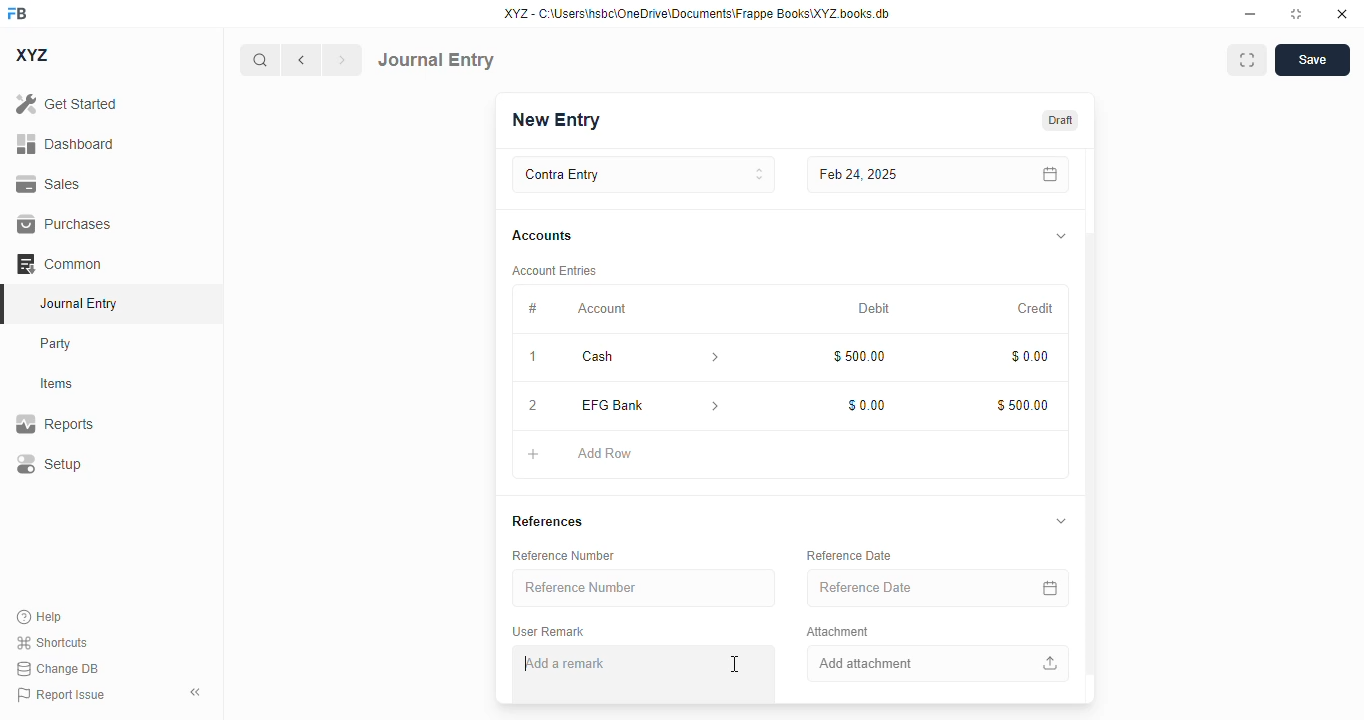  What do you see at coordinates (1046, 175) in the screenshot?
I see `calendar icon` at bounding box center [1046, 175].